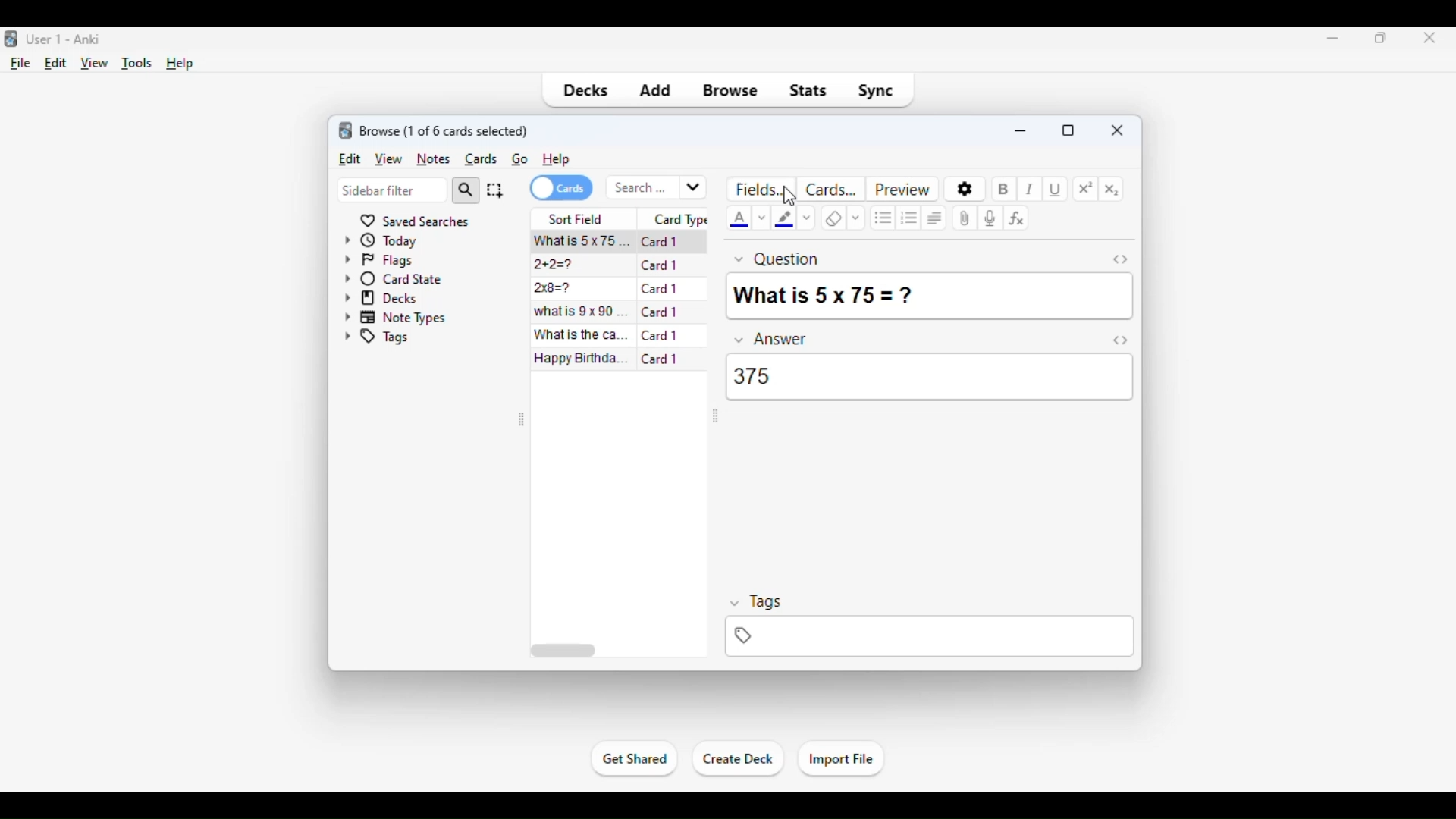  I want to click on card state, so click(393, 278).